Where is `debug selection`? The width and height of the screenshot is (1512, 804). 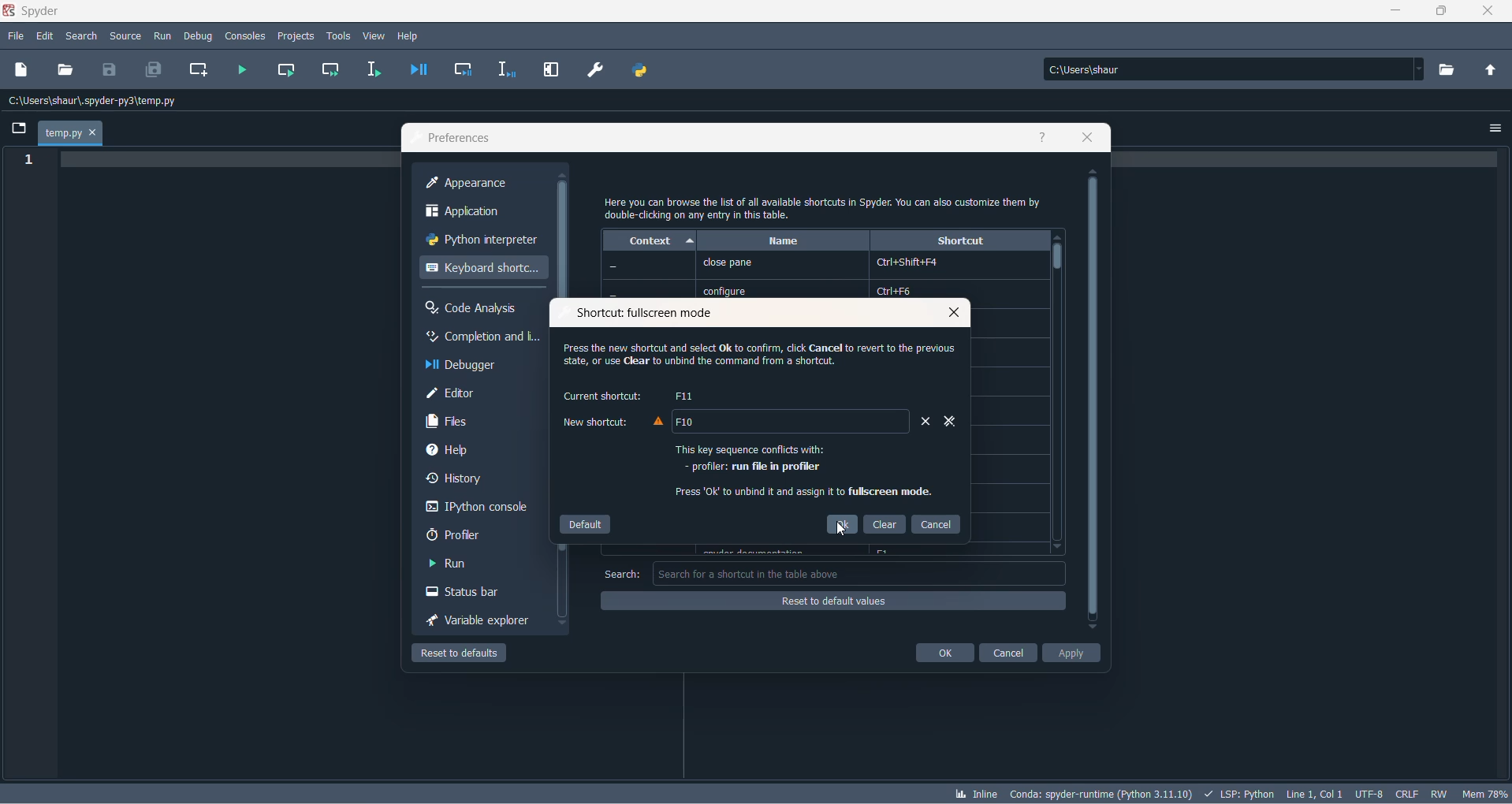
debug selection is located at coordinates (505, 71).